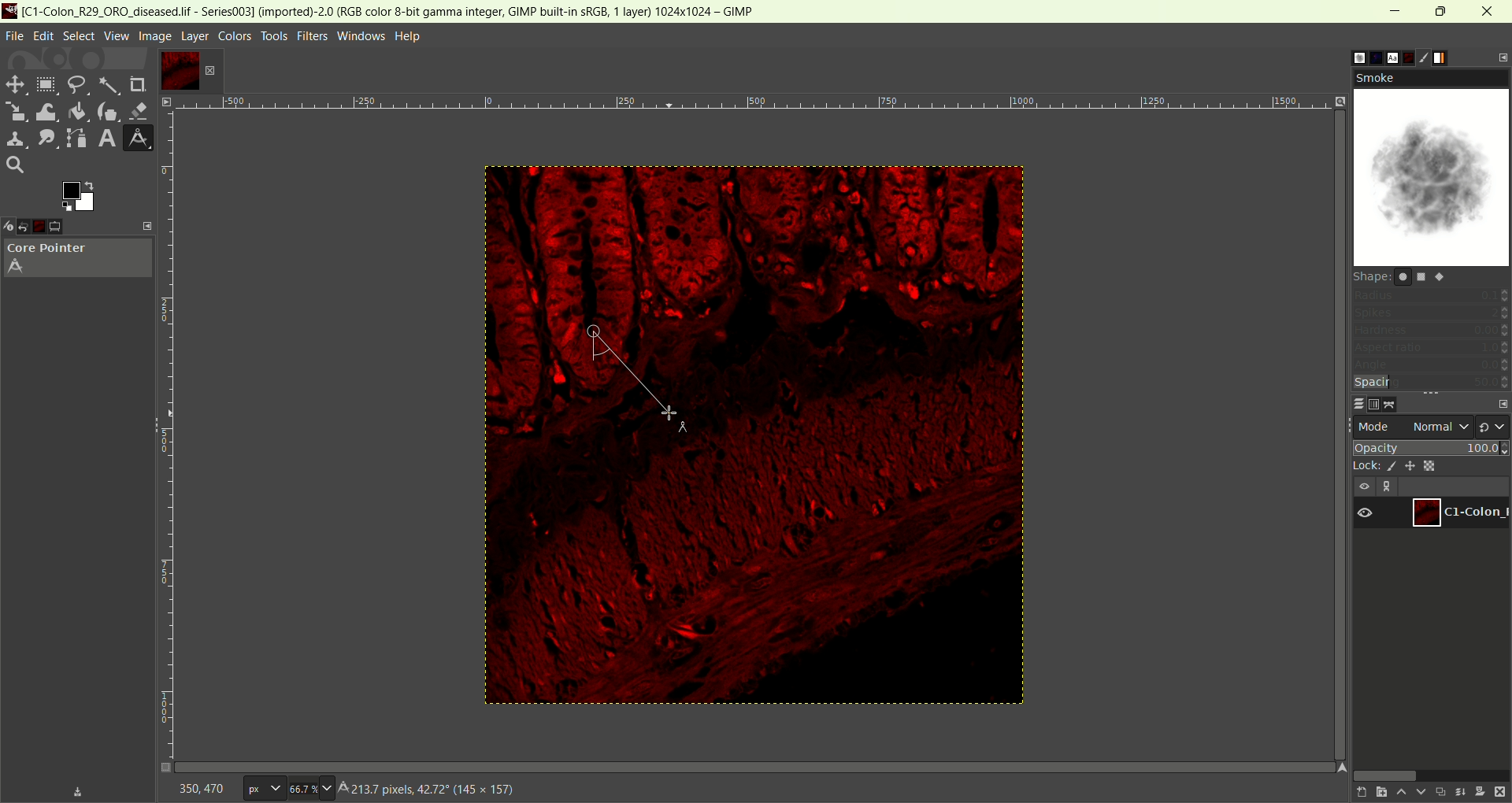 The image size is (1512, 803). I want to click on view, so click(116, 35).